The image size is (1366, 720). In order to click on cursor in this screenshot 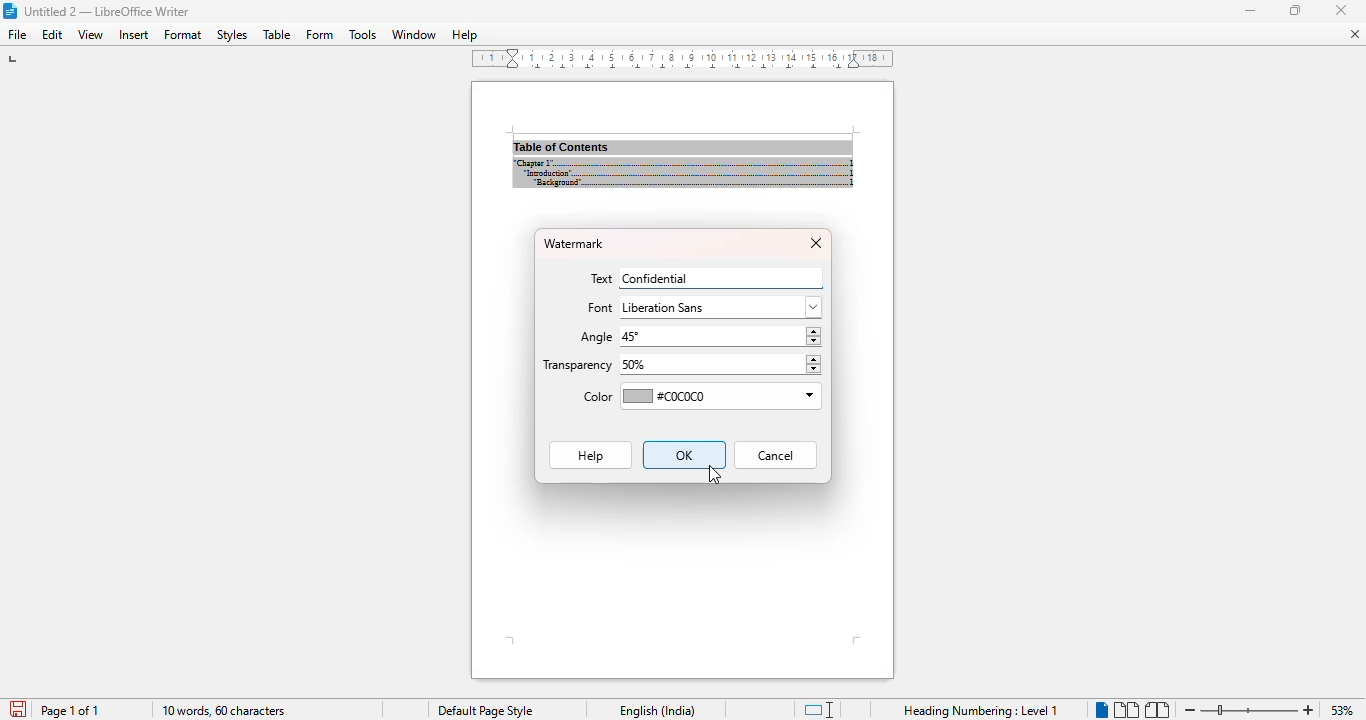, I will do `click(713, 473)`.